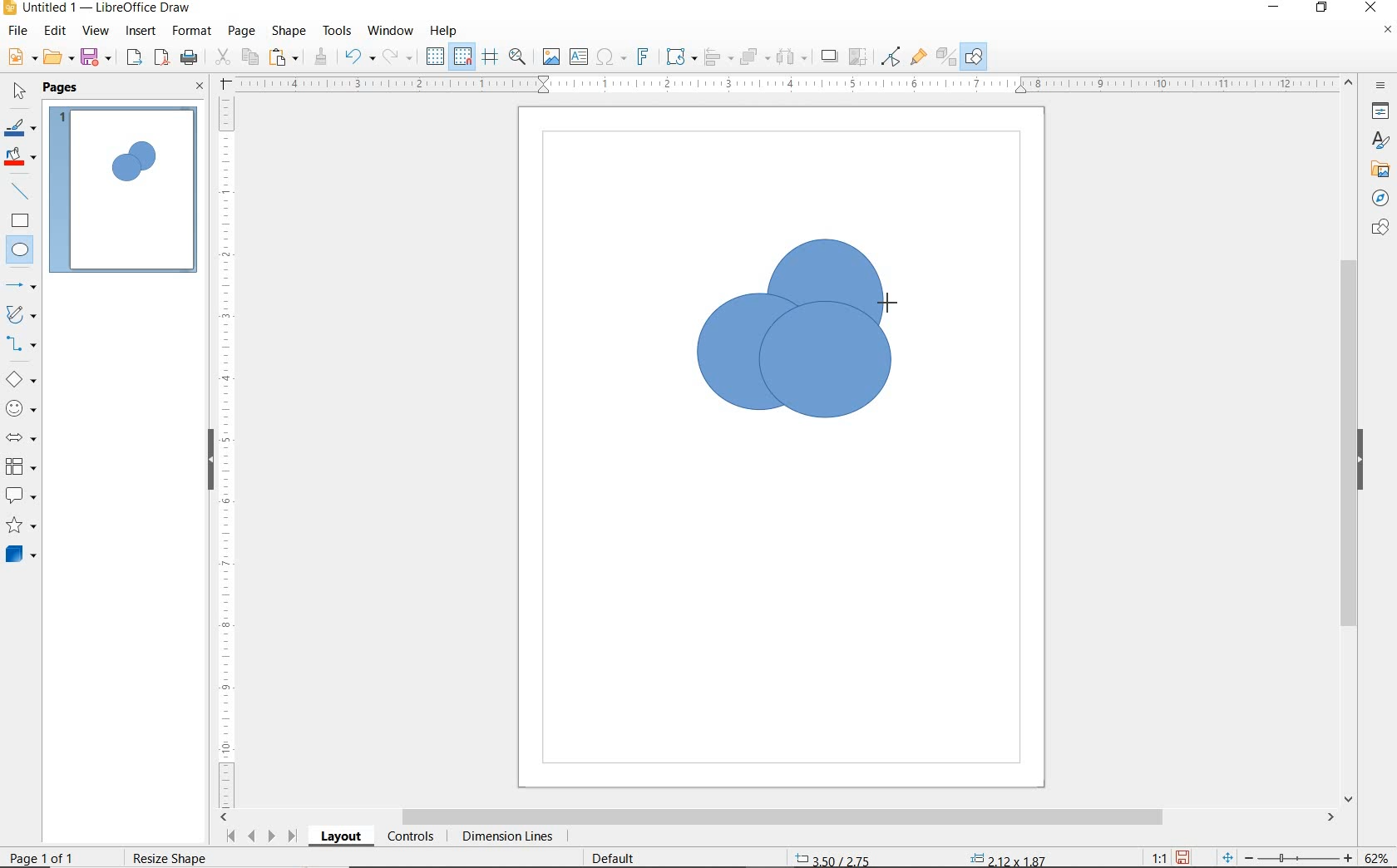 The image size is (1397, 868). What do you see at coordinates (888, 305) in the screenshot?
I see `ELLIPSE TOO AT DRAG` at bounding box center [888, 305].